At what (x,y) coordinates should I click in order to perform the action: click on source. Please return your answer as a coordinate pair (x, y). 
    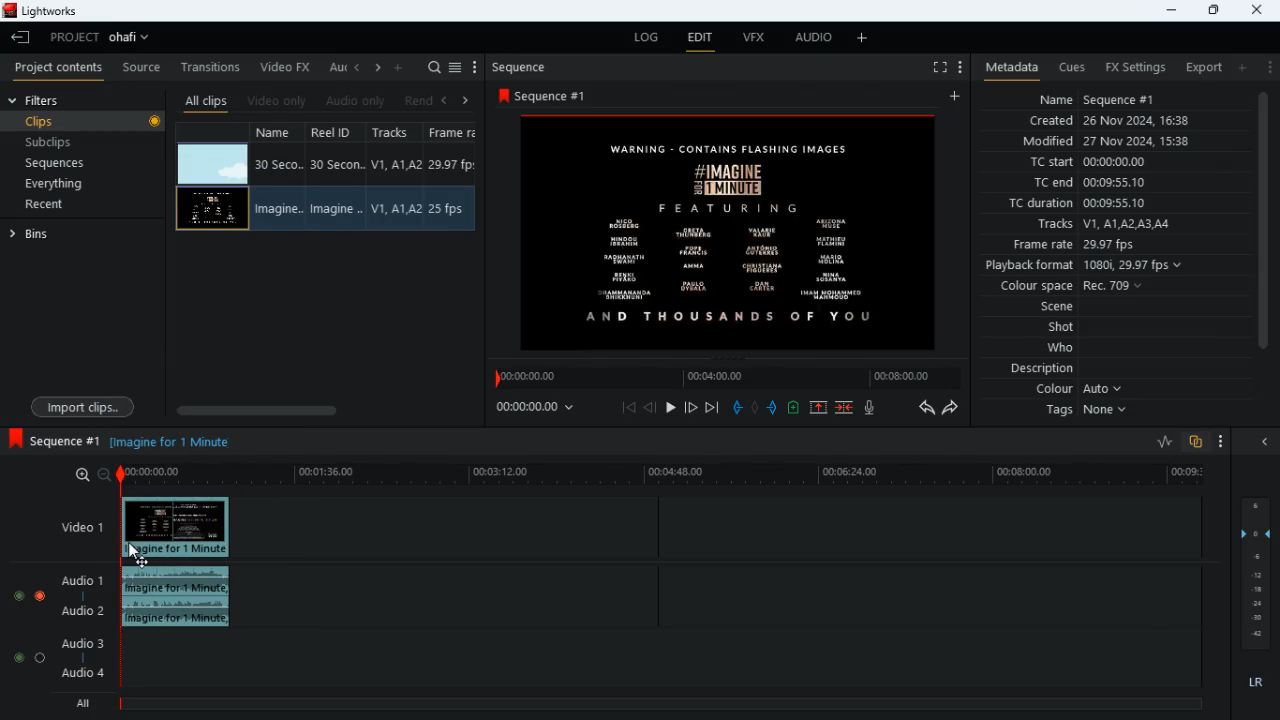
    Looking at the image, I should click on (141, 66).